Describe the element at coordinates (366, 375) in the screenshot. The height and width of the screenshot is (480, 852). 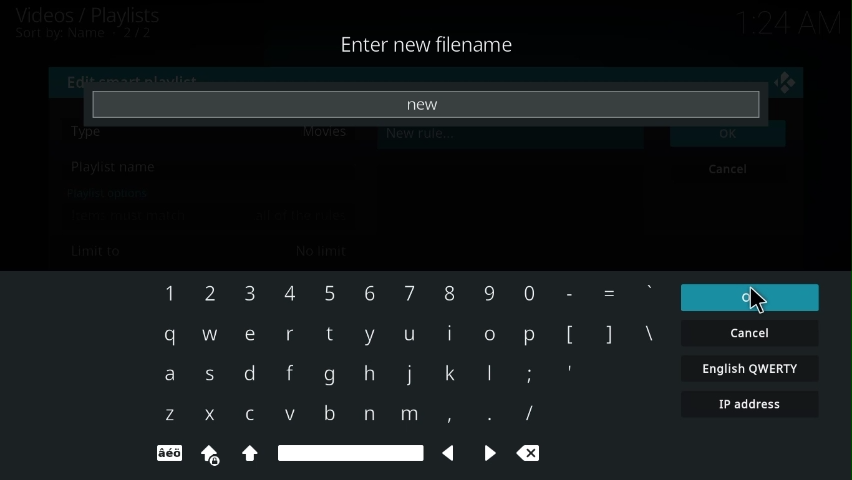
I see `h` at that location.